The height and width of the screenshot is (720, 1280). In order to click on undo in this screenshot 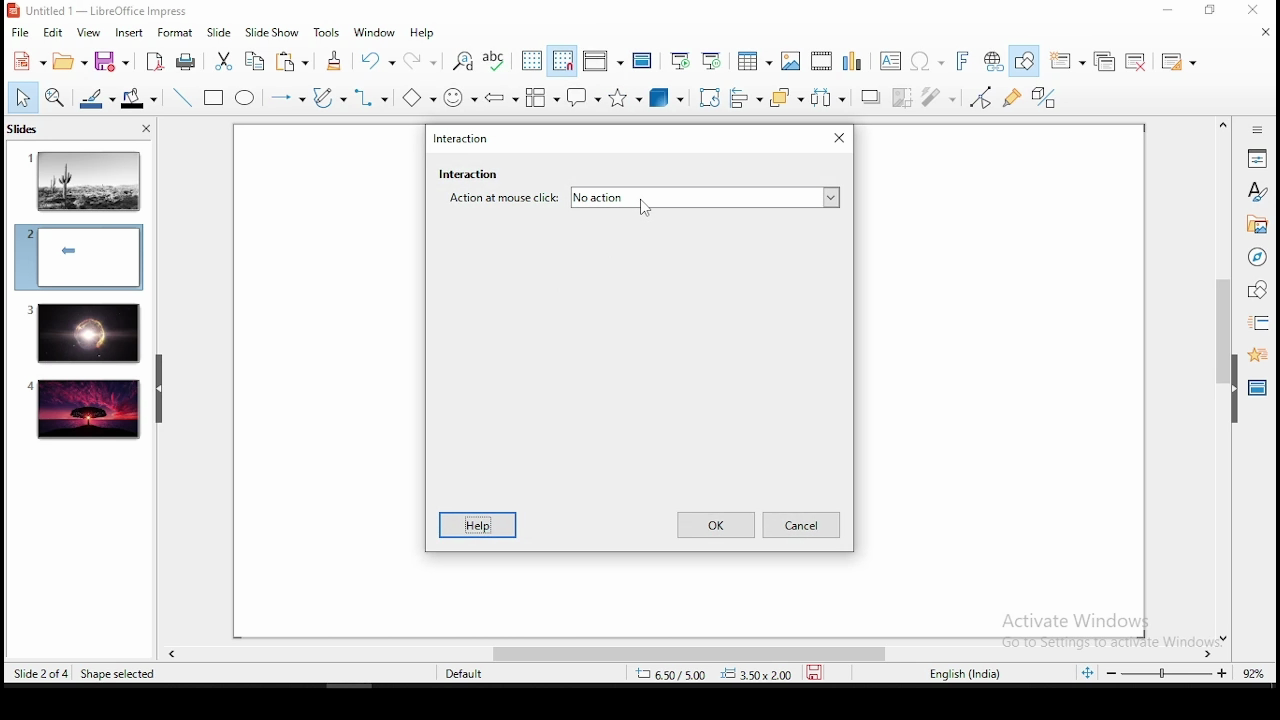, I will do `click(379, 61)`.